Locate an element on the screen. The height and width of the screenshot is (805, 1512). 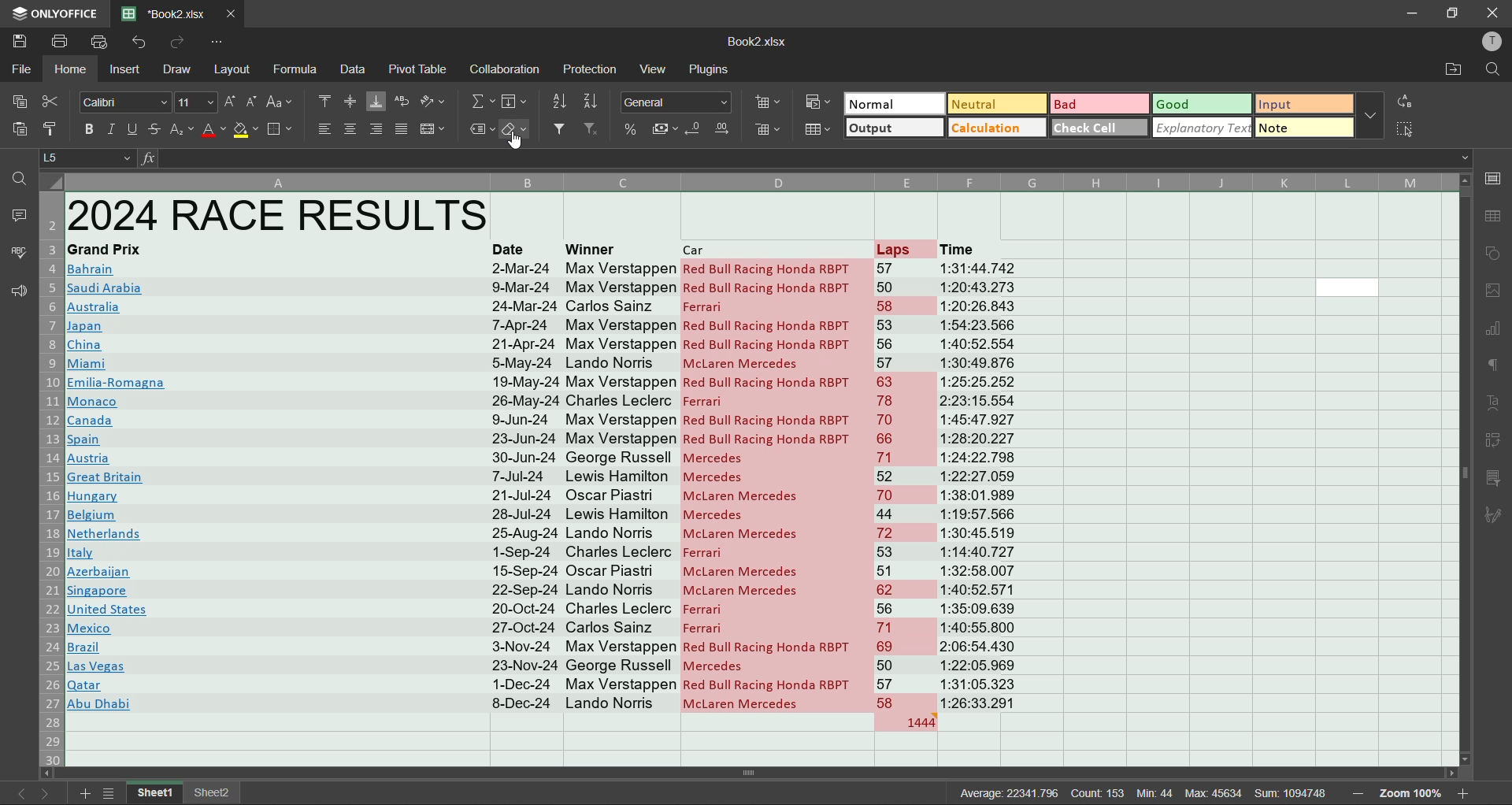
signature is located at coordinates (1492, 517).